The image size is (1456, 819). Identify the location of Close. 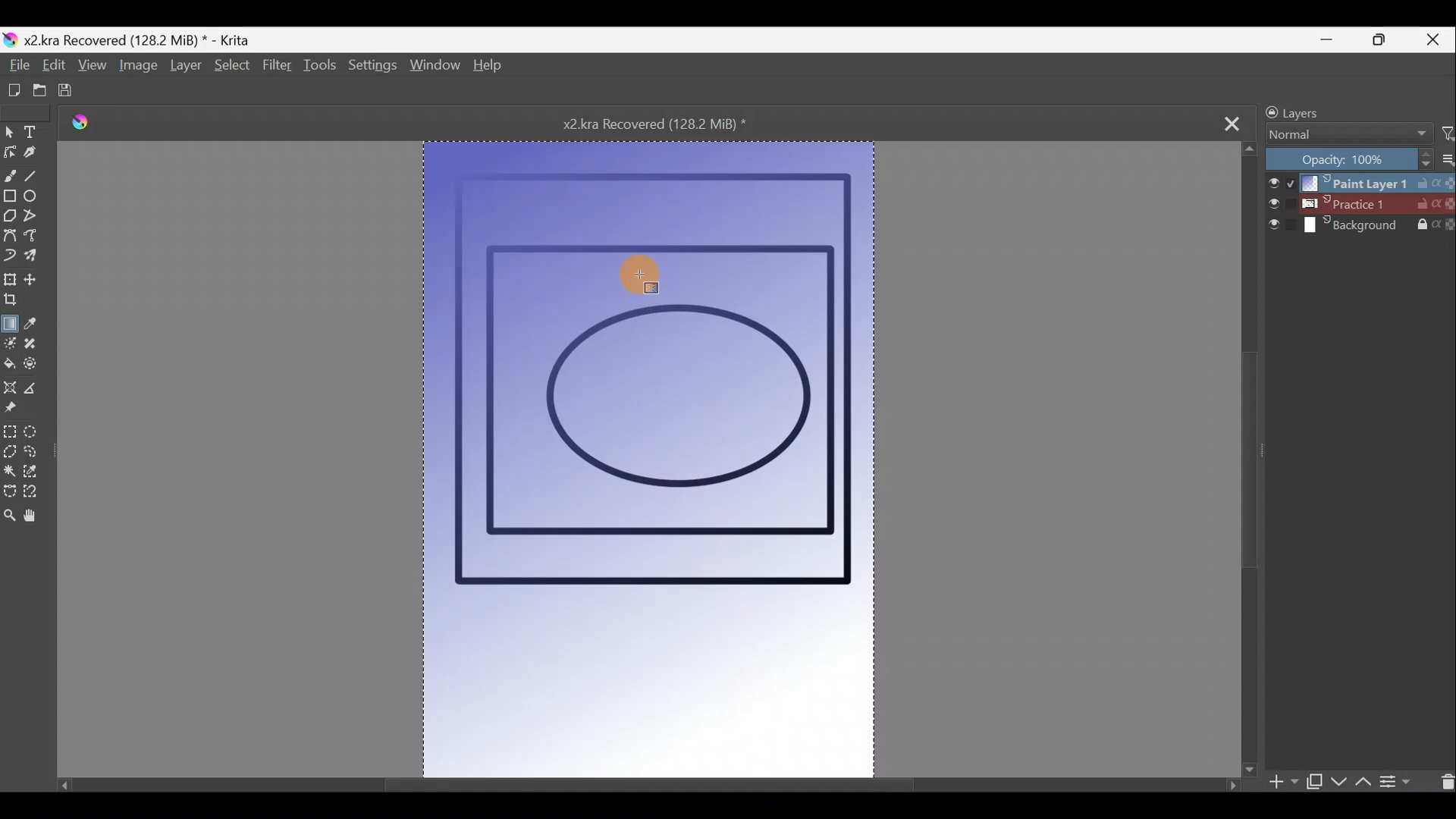
(1436, 39).